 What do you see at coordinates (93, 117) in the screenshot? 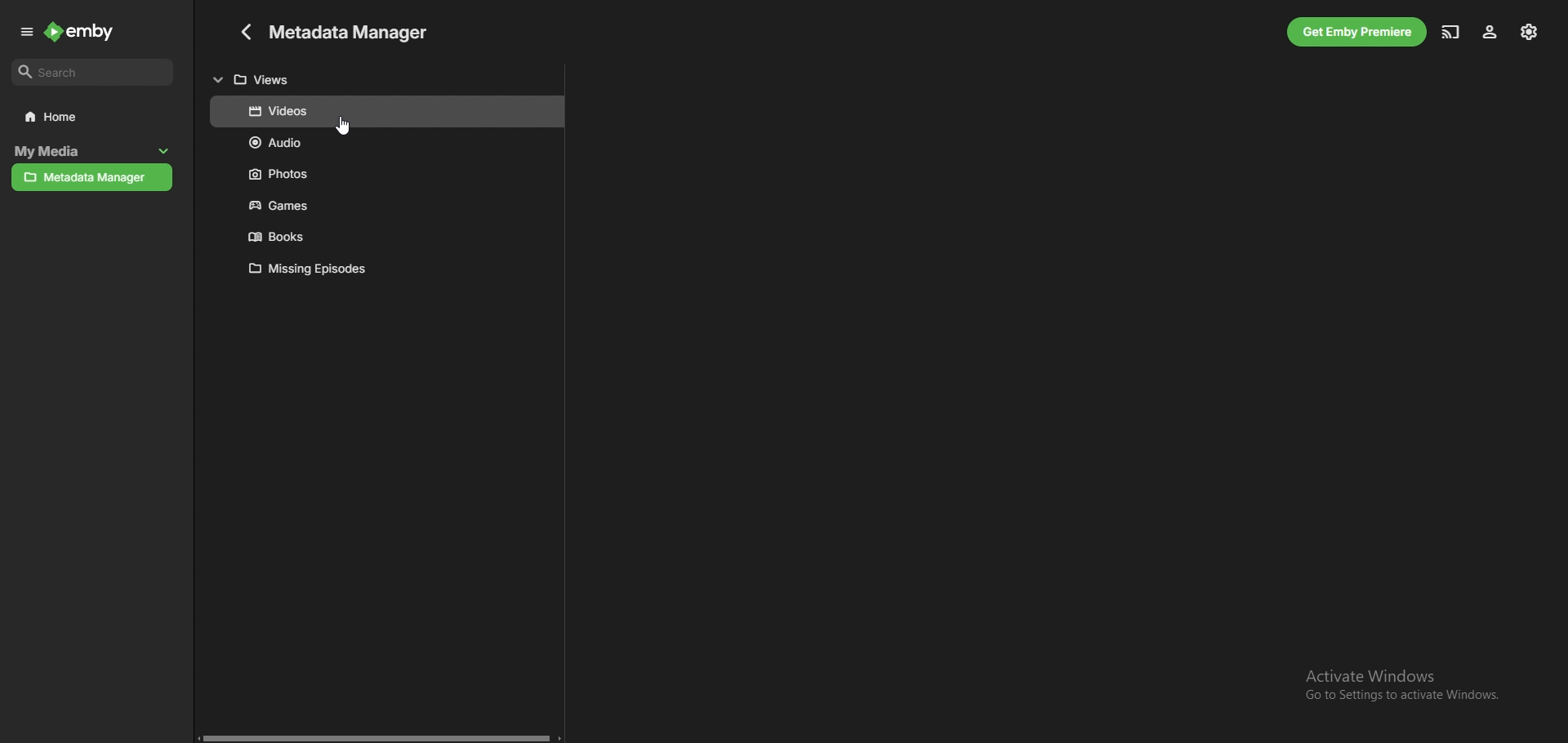
I see `home` at bounding box center [93, 117].